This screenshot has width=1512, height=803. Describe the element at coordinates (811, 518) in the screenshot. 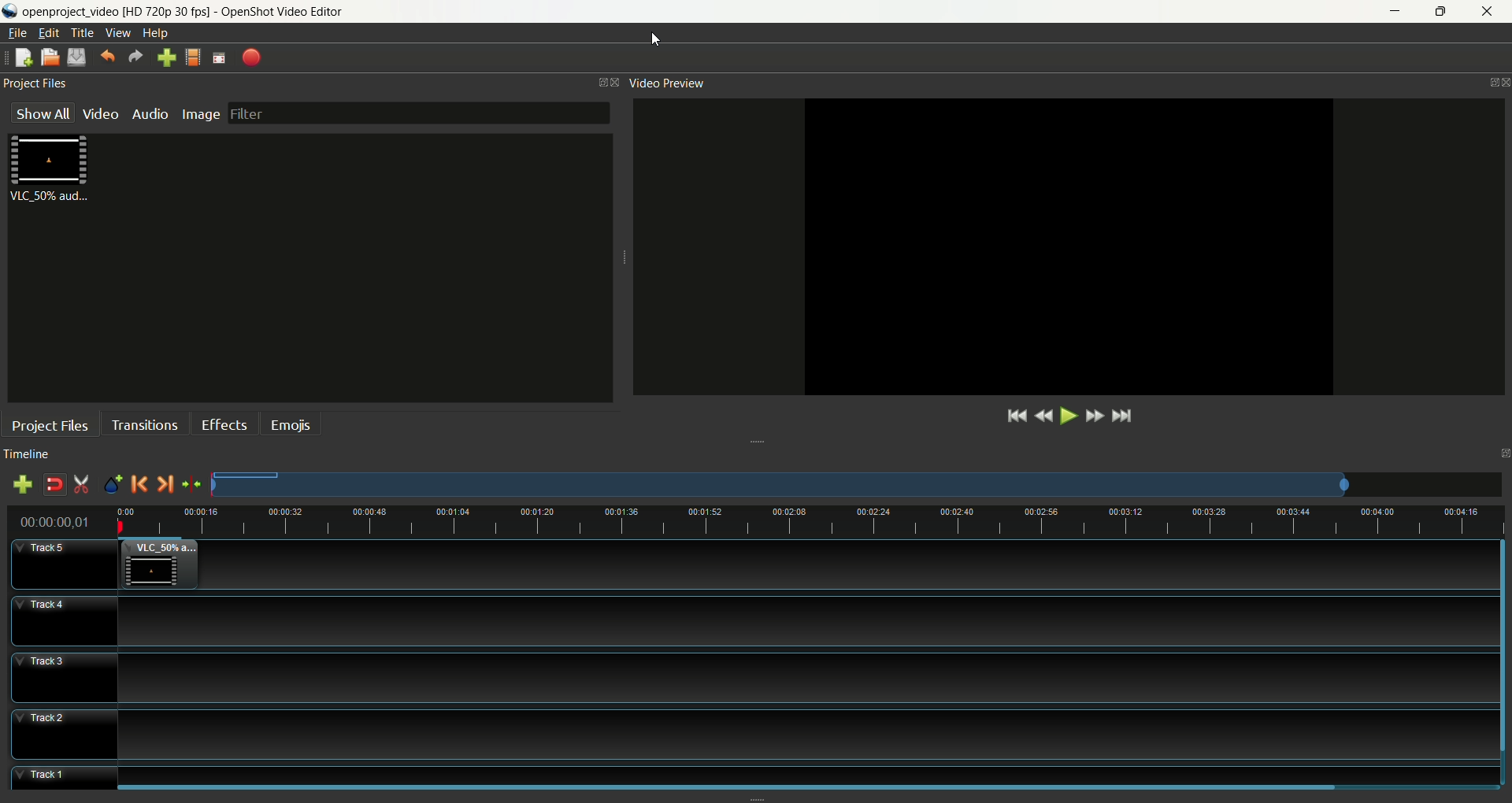

I see `timeline` at that location.